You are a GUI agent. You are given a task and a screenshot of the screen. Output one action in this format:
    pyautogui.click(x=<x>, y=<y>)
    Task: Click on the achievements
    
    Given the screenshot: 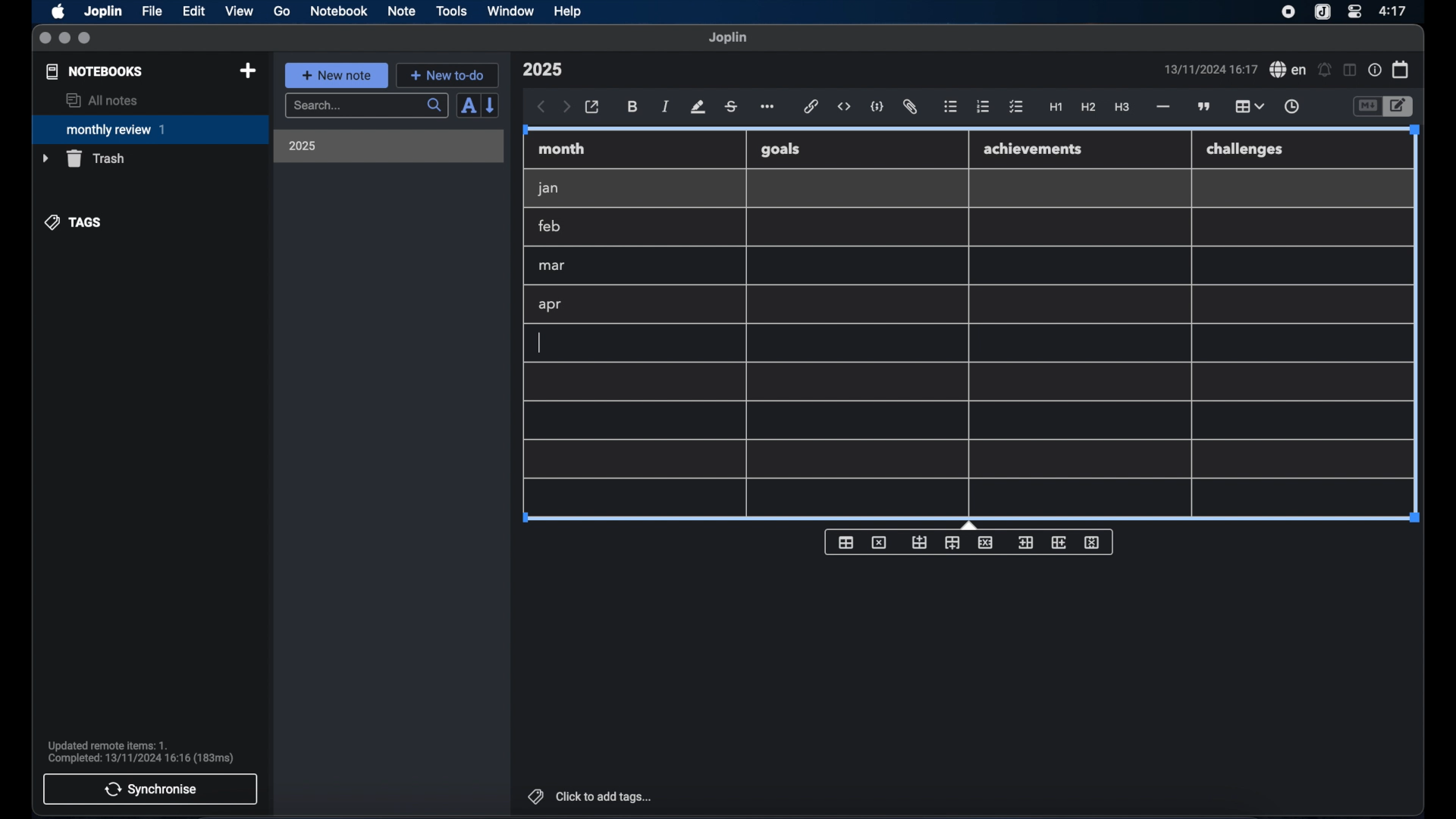 What is the action you would take?
    pyautogui.click(x=1034, y=149)
    